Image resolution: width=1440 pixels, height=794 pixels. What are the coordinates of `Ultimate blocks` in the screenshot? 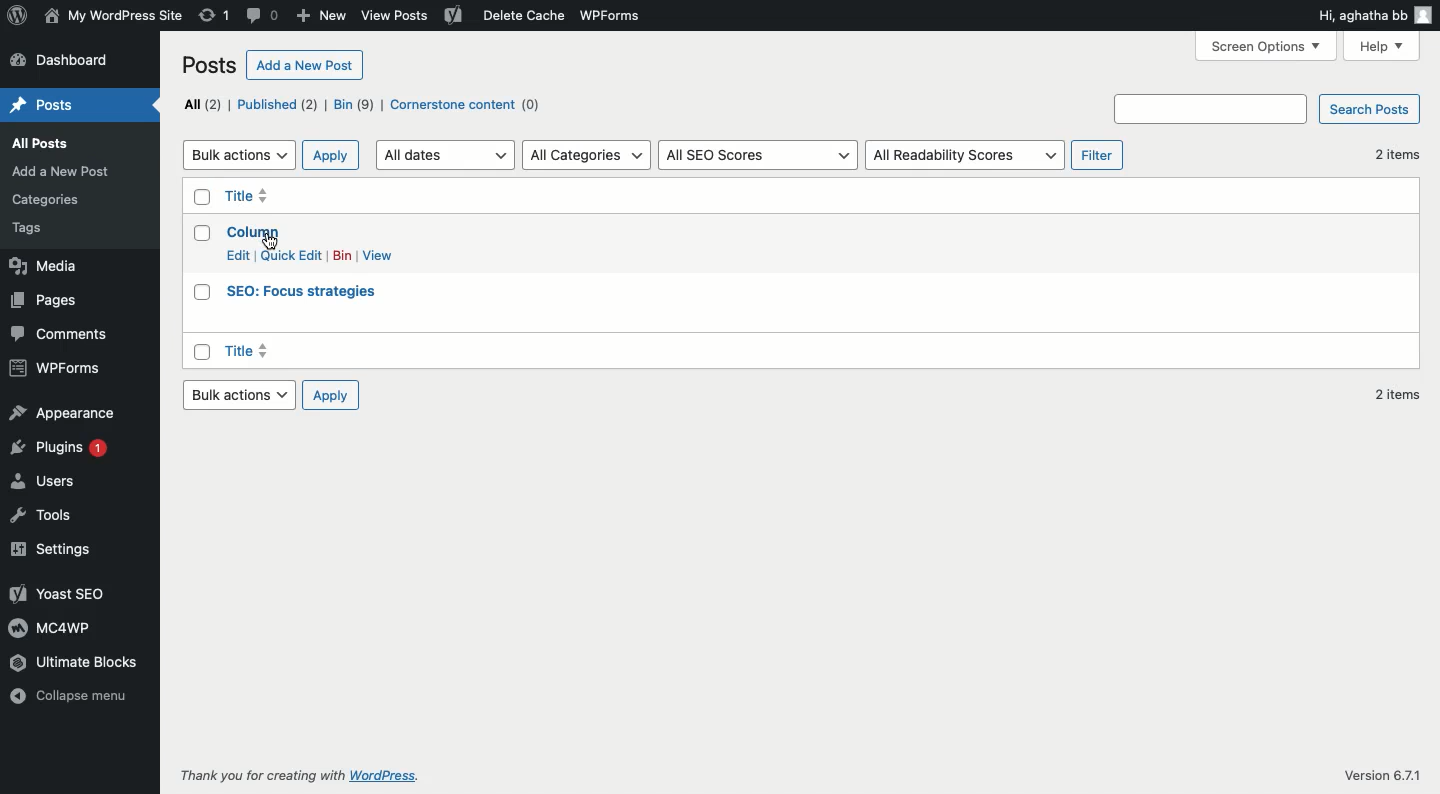 It's located at (79, 664).